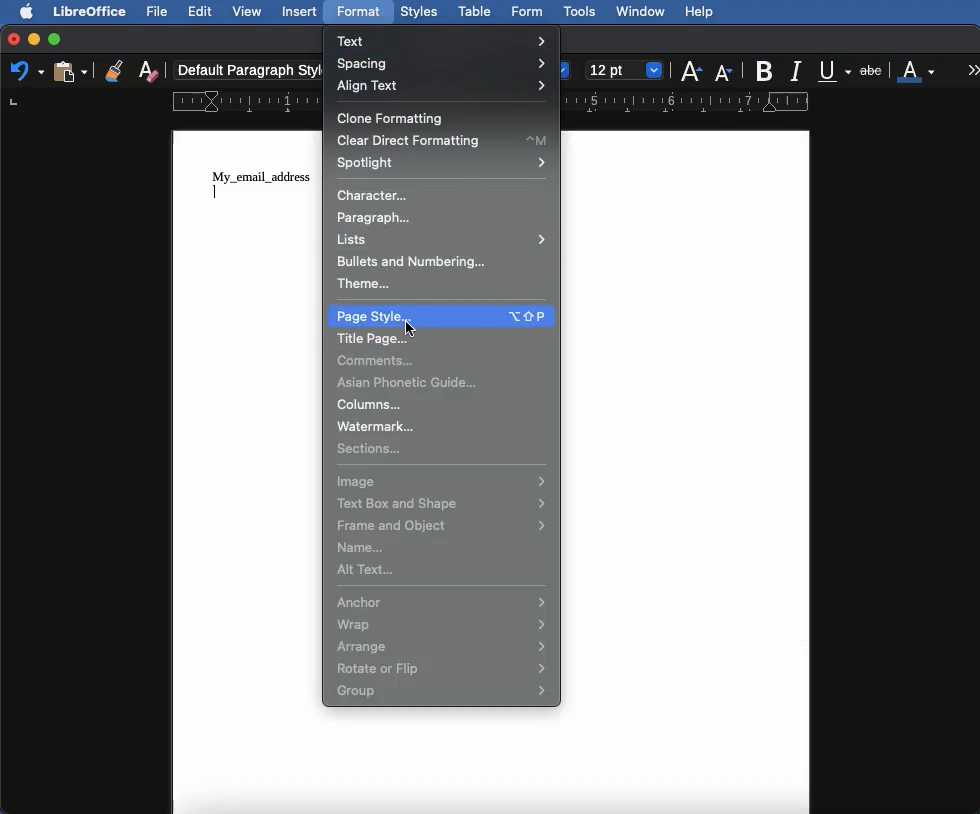 This screenshot has width=980, height=814. I want to click on Bold, so click(766, 71).